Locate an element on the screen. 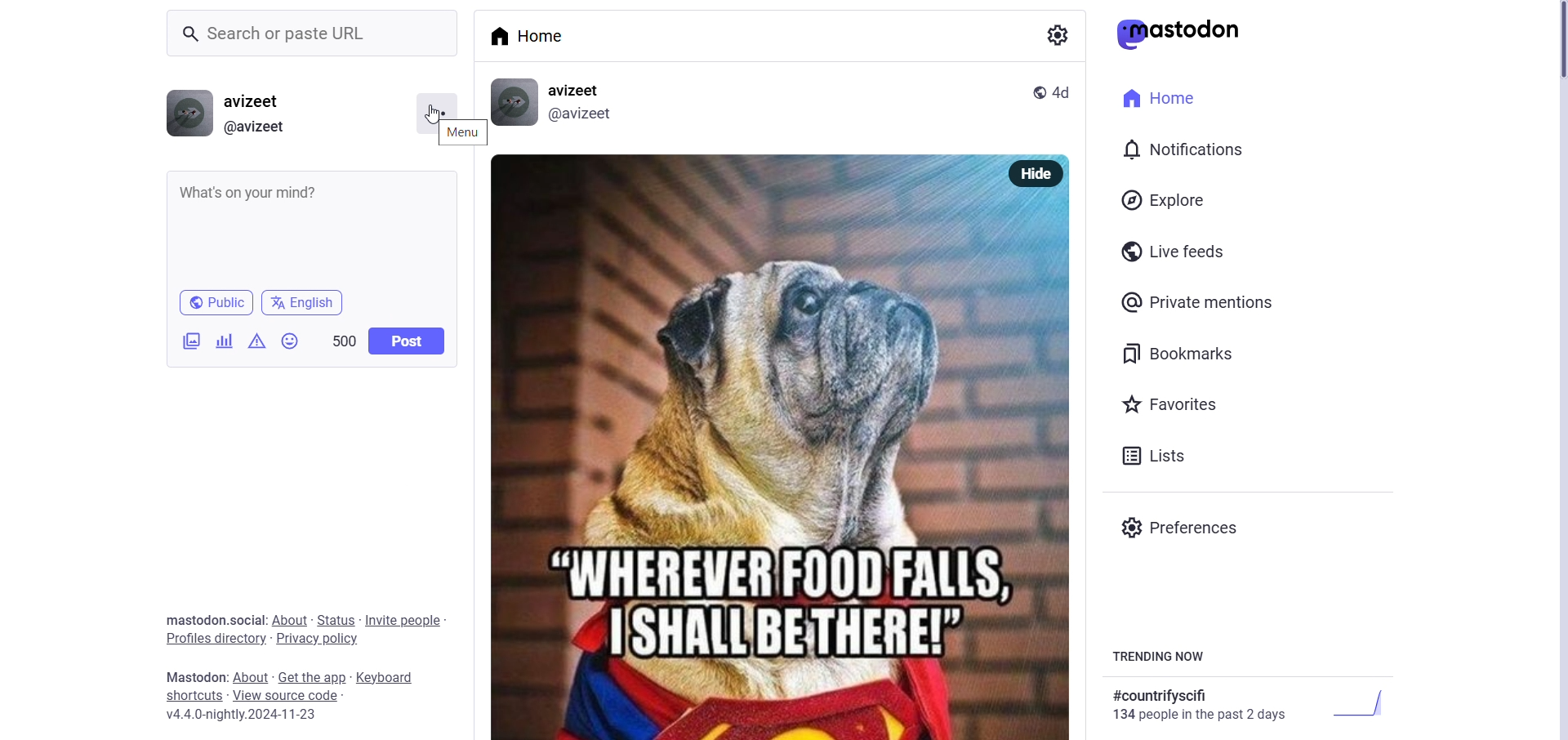 This screenshot has height=740, width=1568. Menu is located at coordinates (434, 105).